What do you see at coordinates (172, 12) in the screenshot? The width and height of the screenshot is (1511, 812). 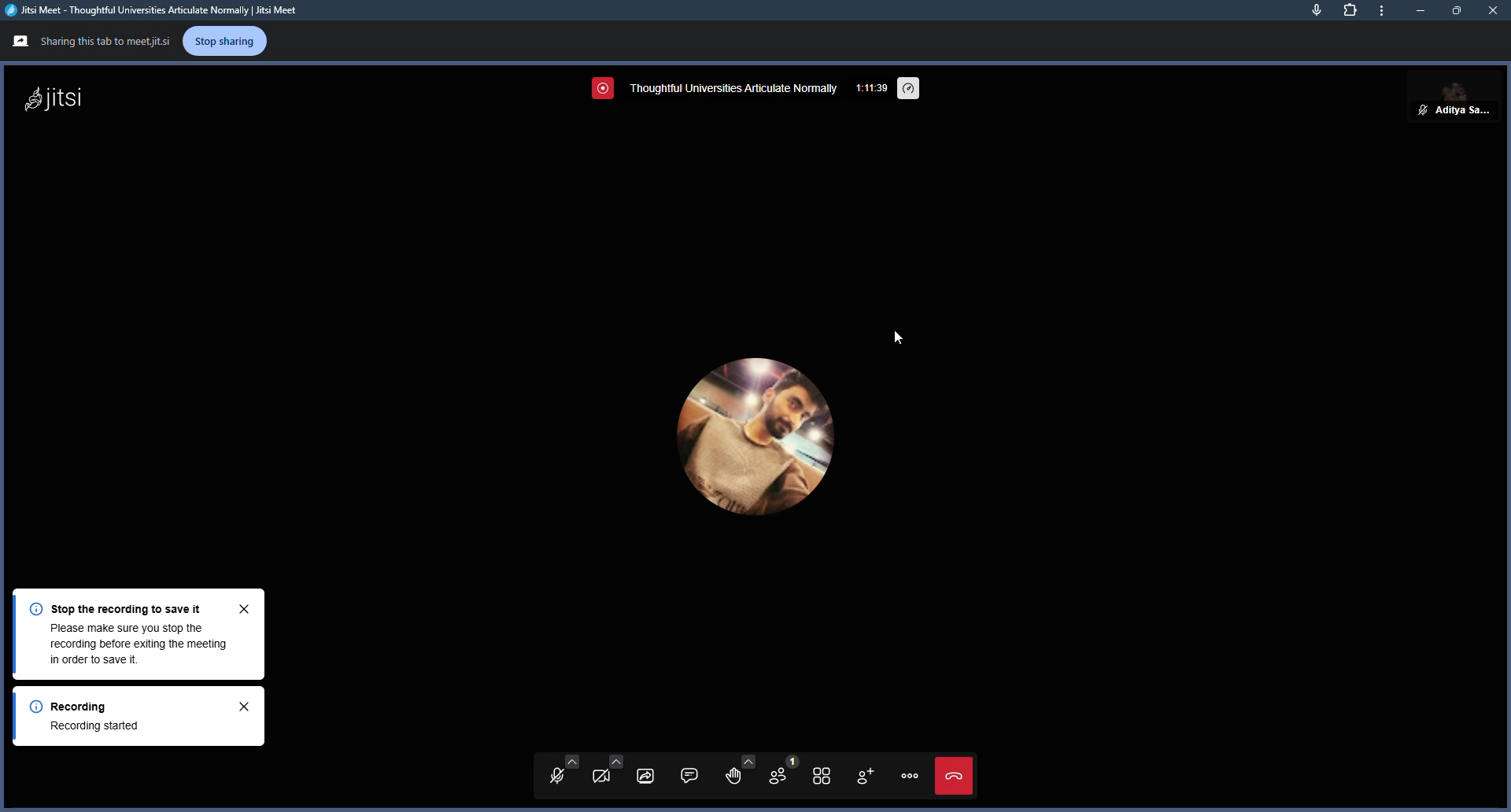 I see `Jitsi Meet - Thoughtful Universities Articulate Normally | Jitsi Meet` at bounding box center [172, 12].